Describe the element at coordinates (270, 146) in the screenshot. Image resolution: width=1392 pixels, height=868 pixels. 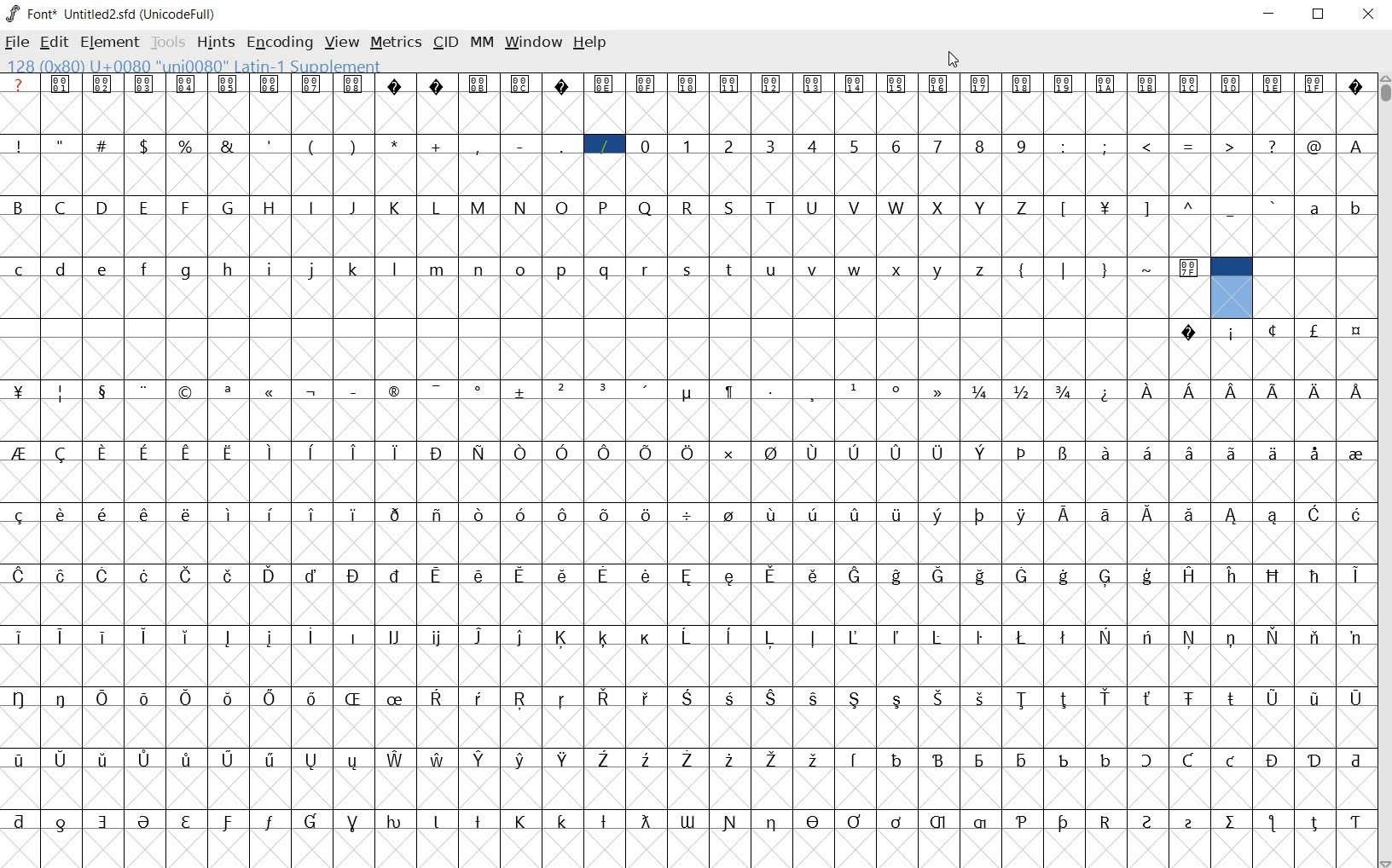
I see `'` at that location.